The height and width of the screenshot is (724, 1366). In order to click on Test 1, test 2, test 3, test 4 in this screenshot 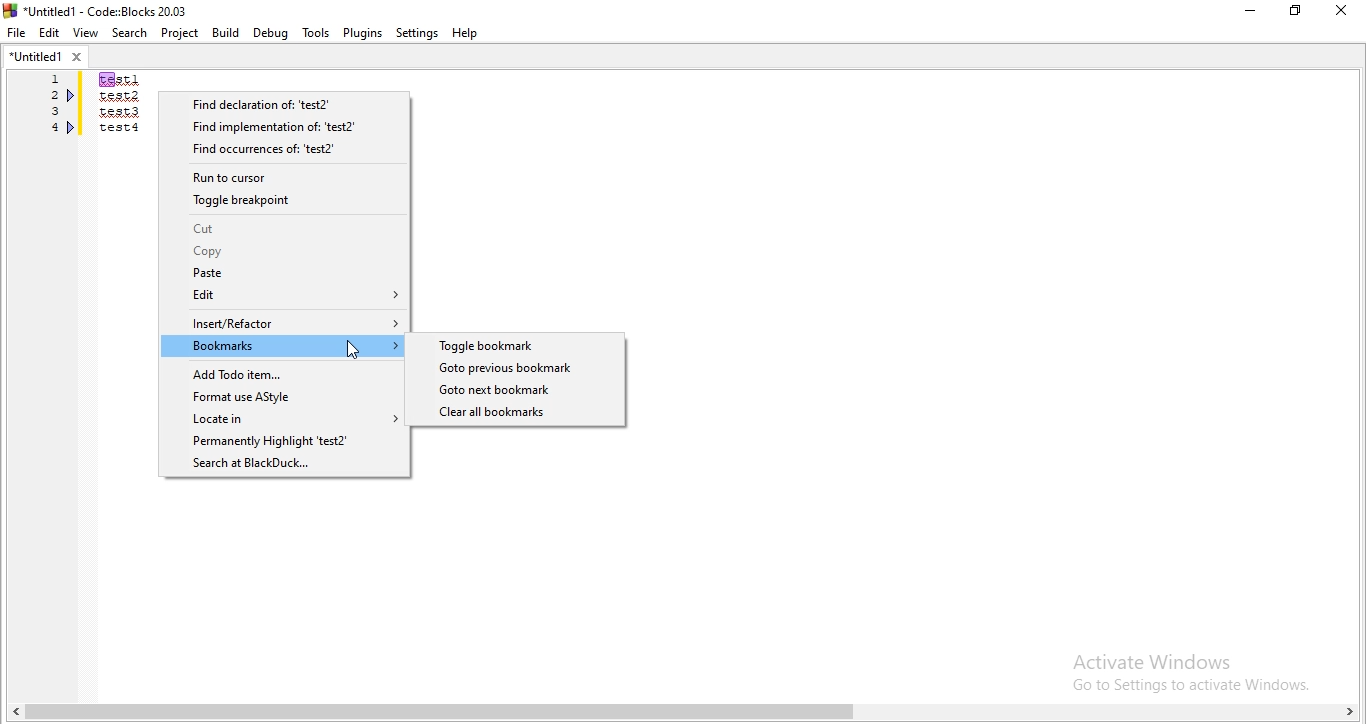, I will do `click(119, 117)`.